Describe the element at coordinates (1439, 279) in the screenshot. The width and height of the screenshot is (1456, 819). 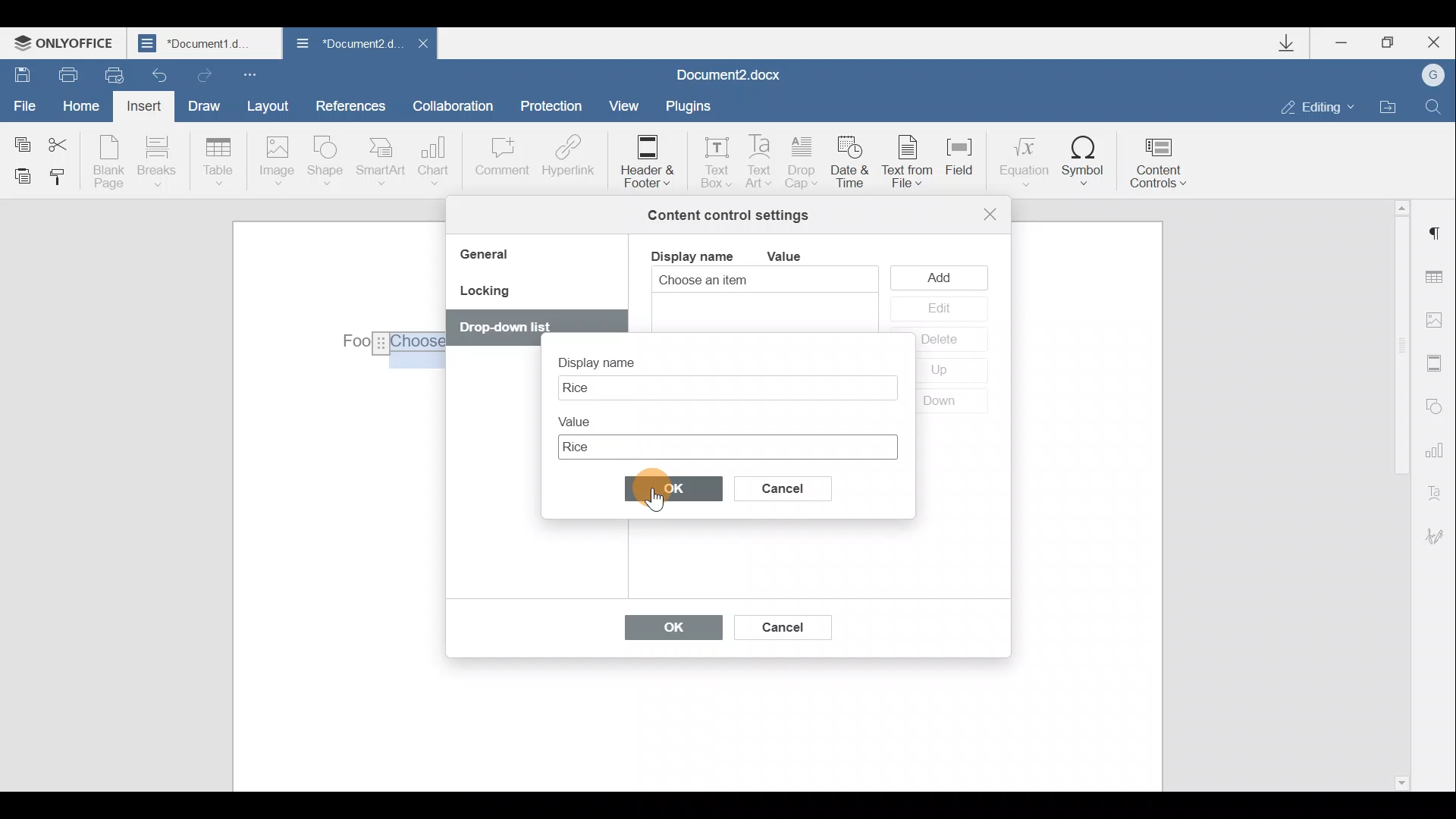
I see `Table settings` at that location.